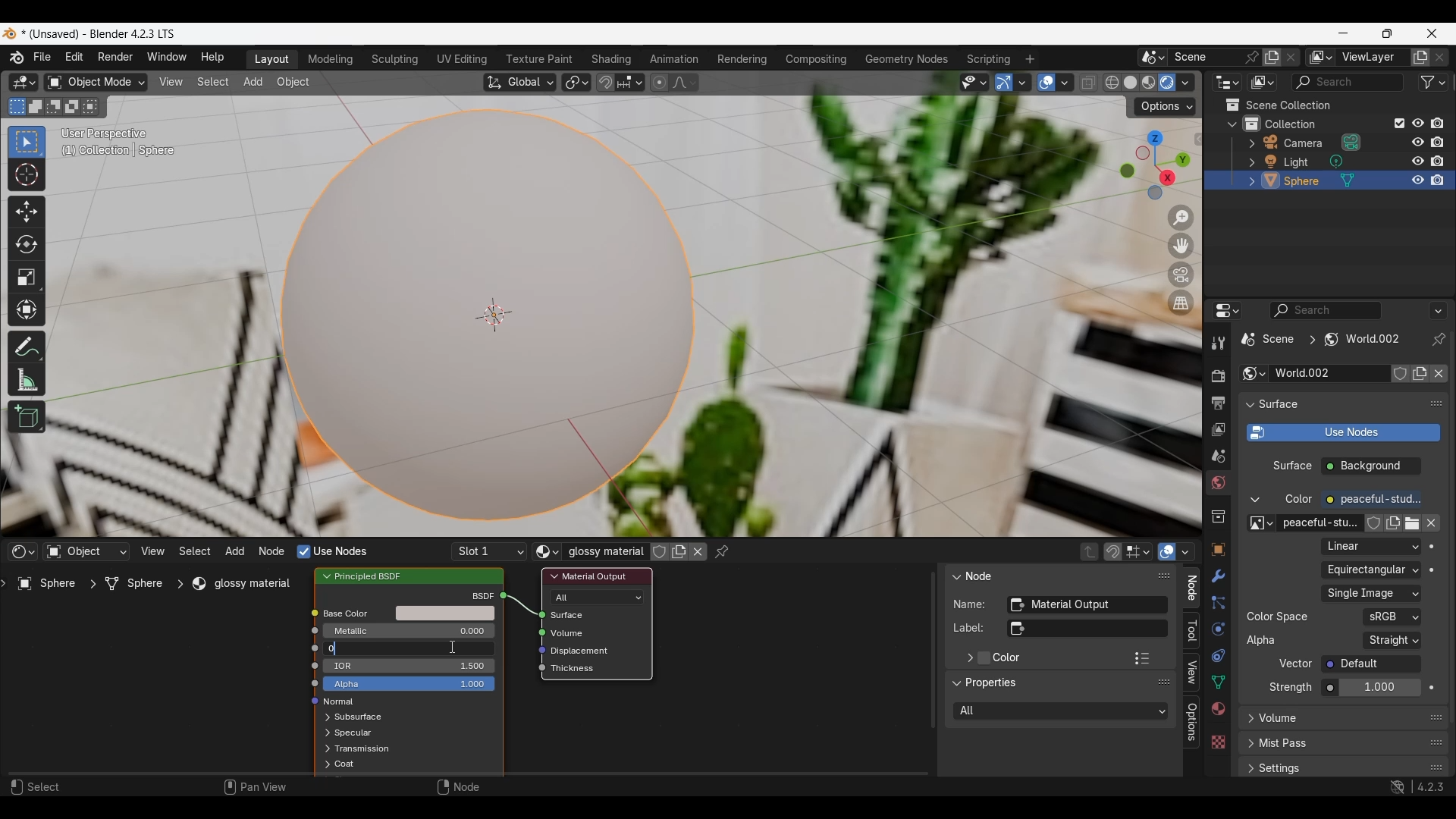 This screenshot has height=819, width=1456. I want to click on Volume , so click(1280, 718).